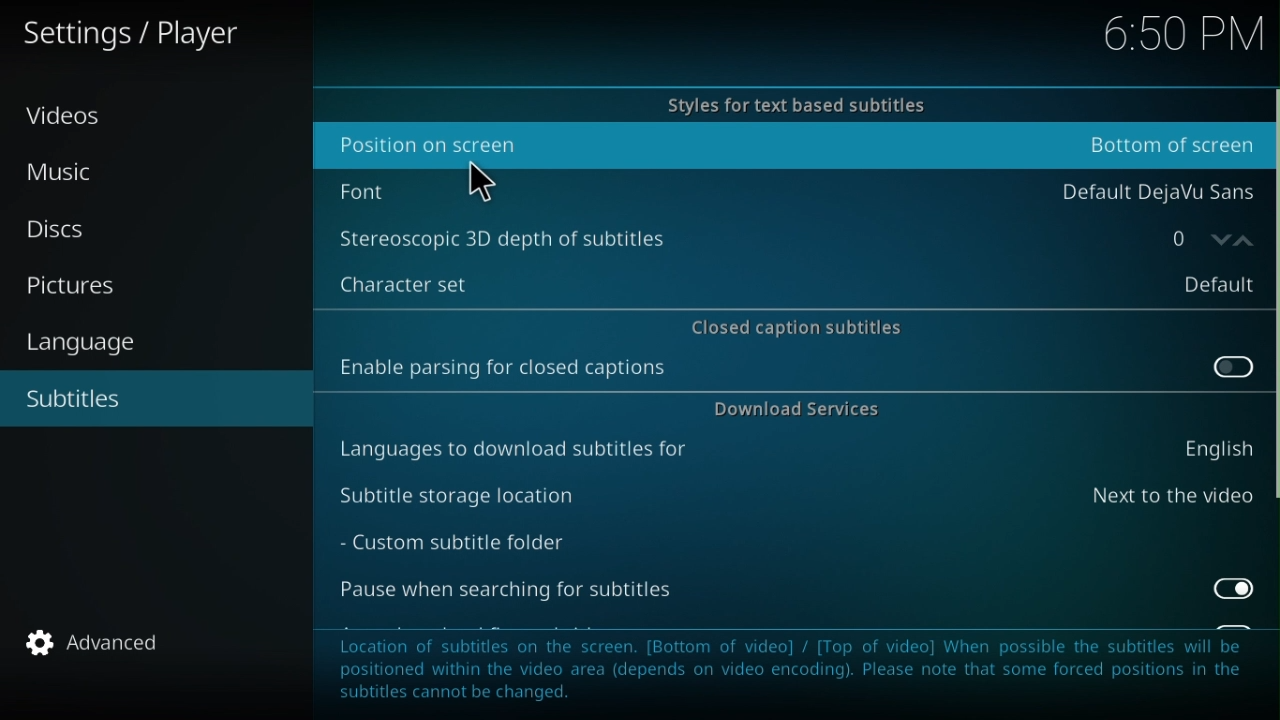  What do you see at coordinates (794, 324) in the screenshot?
I see `Closed caption subtitles` at bounding box center [794, 324].